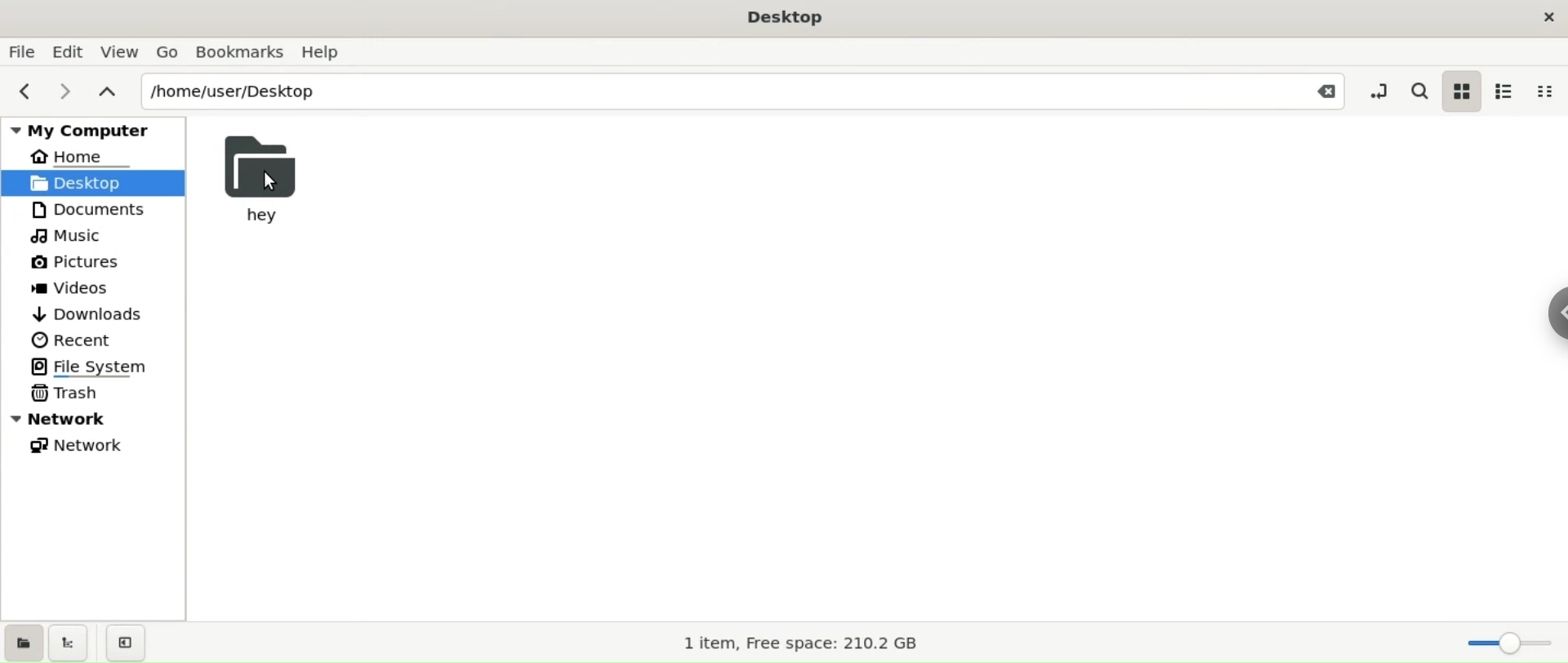 This screenshot has height=663, width=1568. What do you see at coordinates (126, 643) in the screenshot?
I see `close sidebar` at bounding box center [126, 643].